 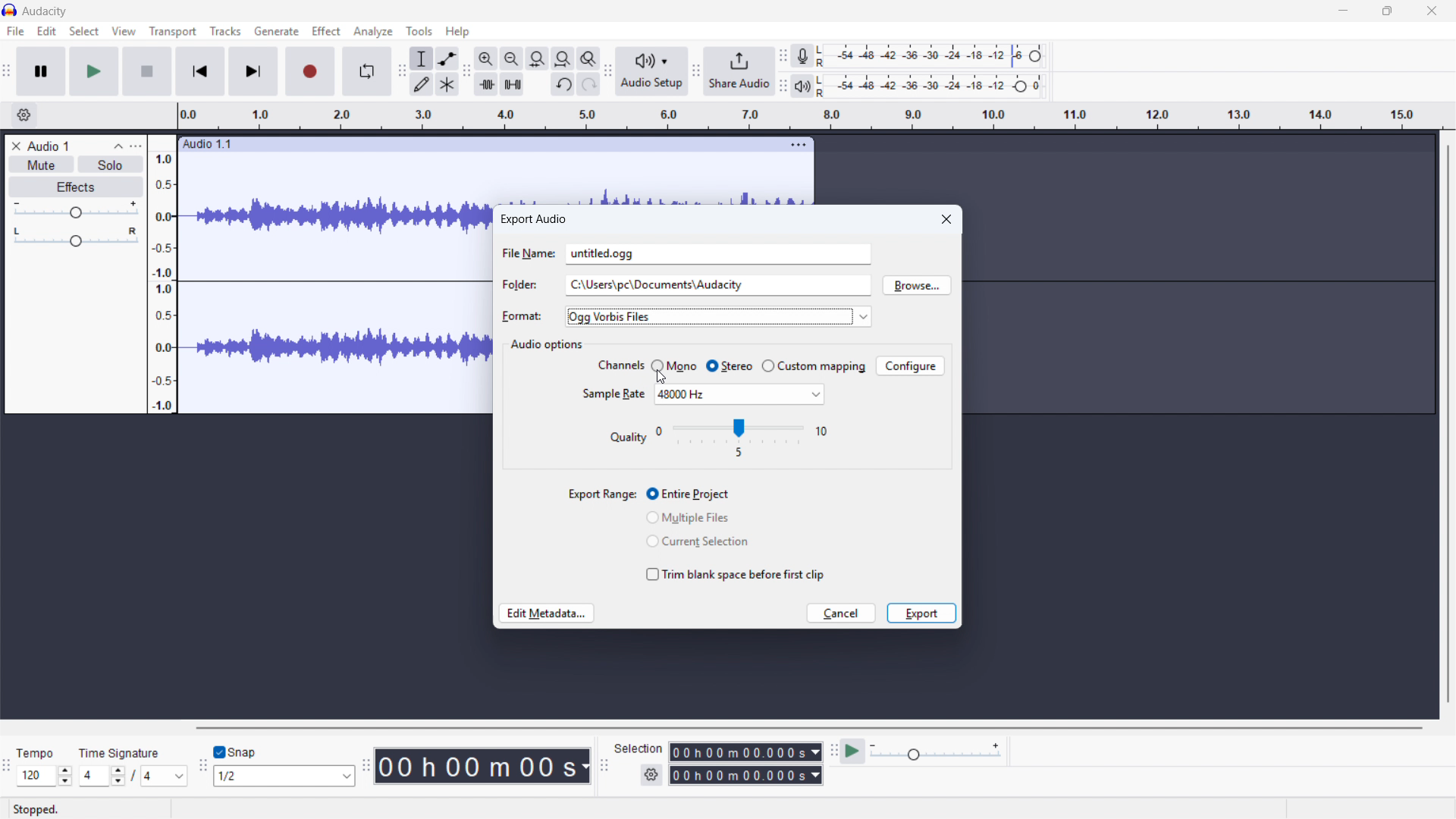 What do you see at coordinates (563, 58) in the screenshot?
I see `Fit project to width` at bounding box center [563, 58].